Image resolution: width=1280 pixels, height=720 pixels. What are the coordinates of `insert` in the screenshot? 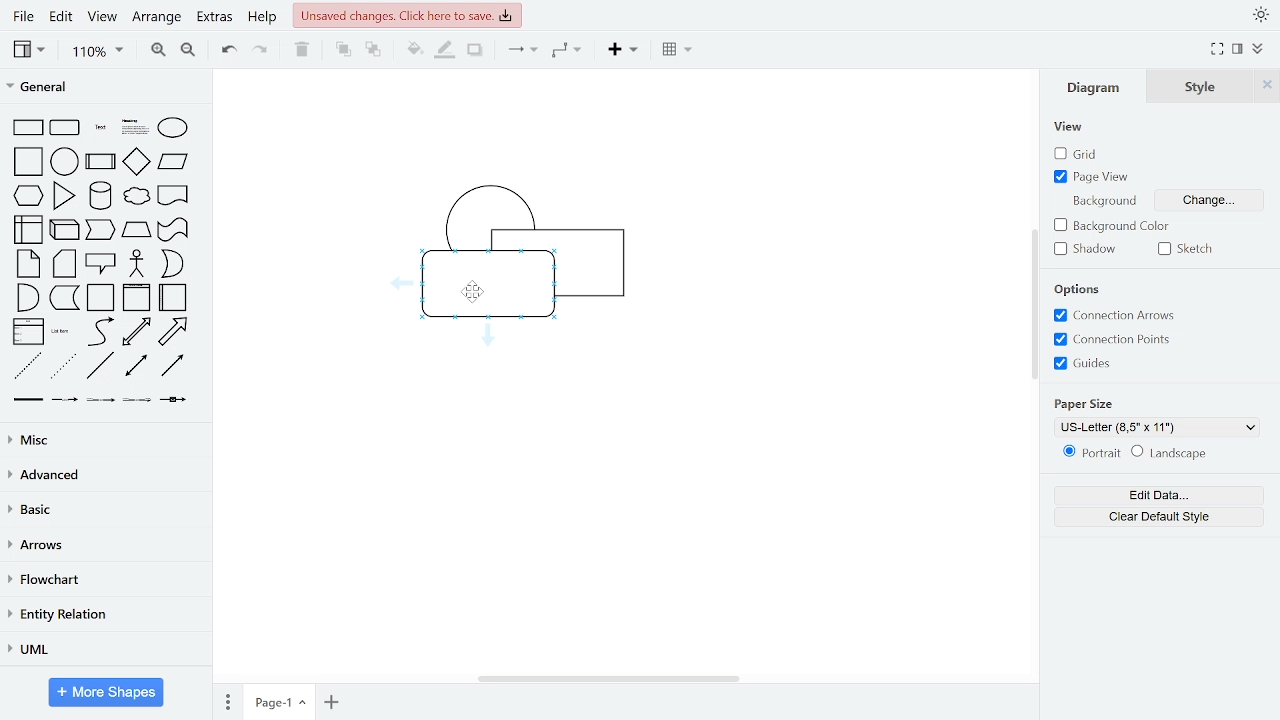 It's located at (621, 51).